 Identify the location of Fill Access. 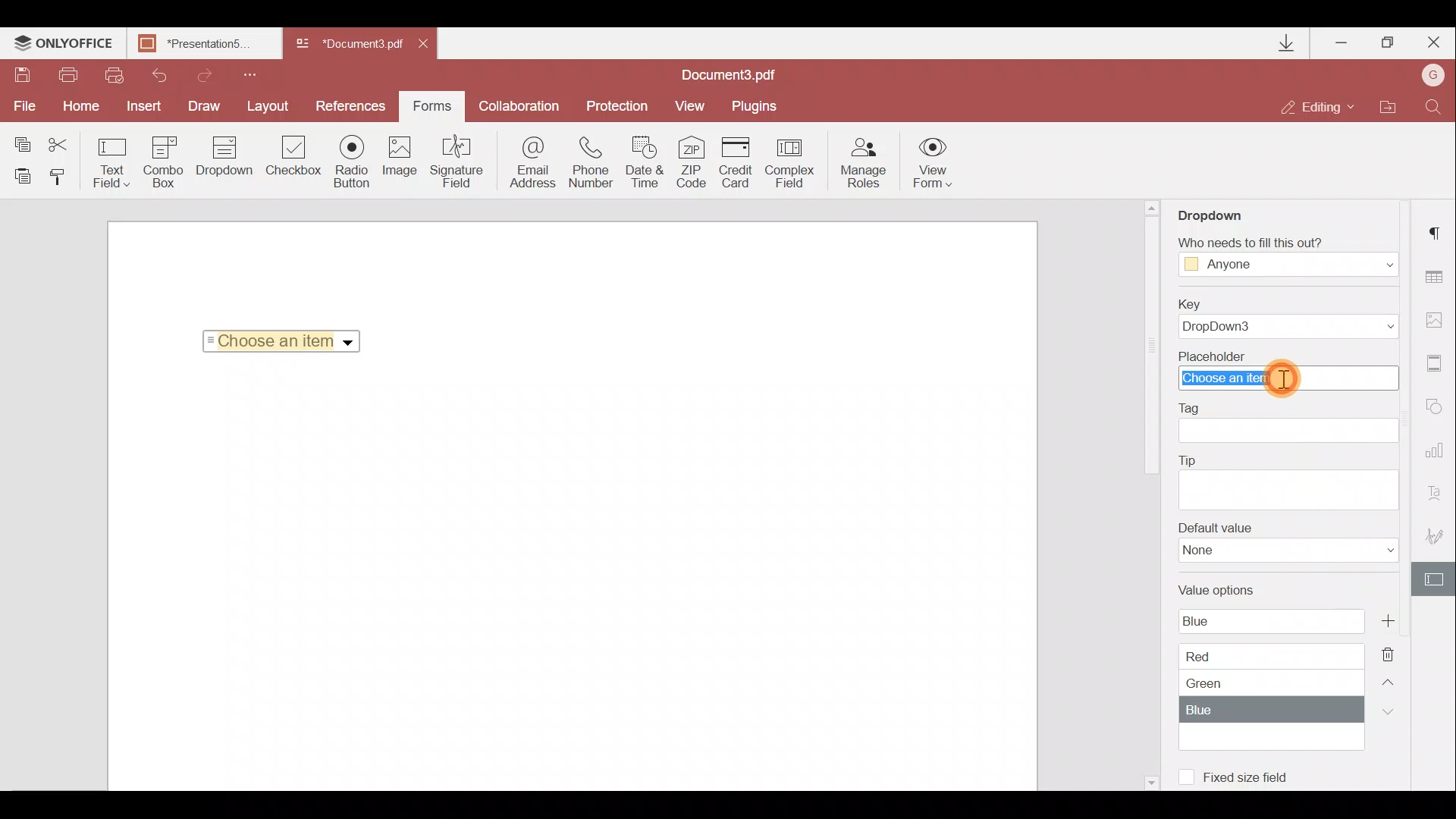
(1285, 257).